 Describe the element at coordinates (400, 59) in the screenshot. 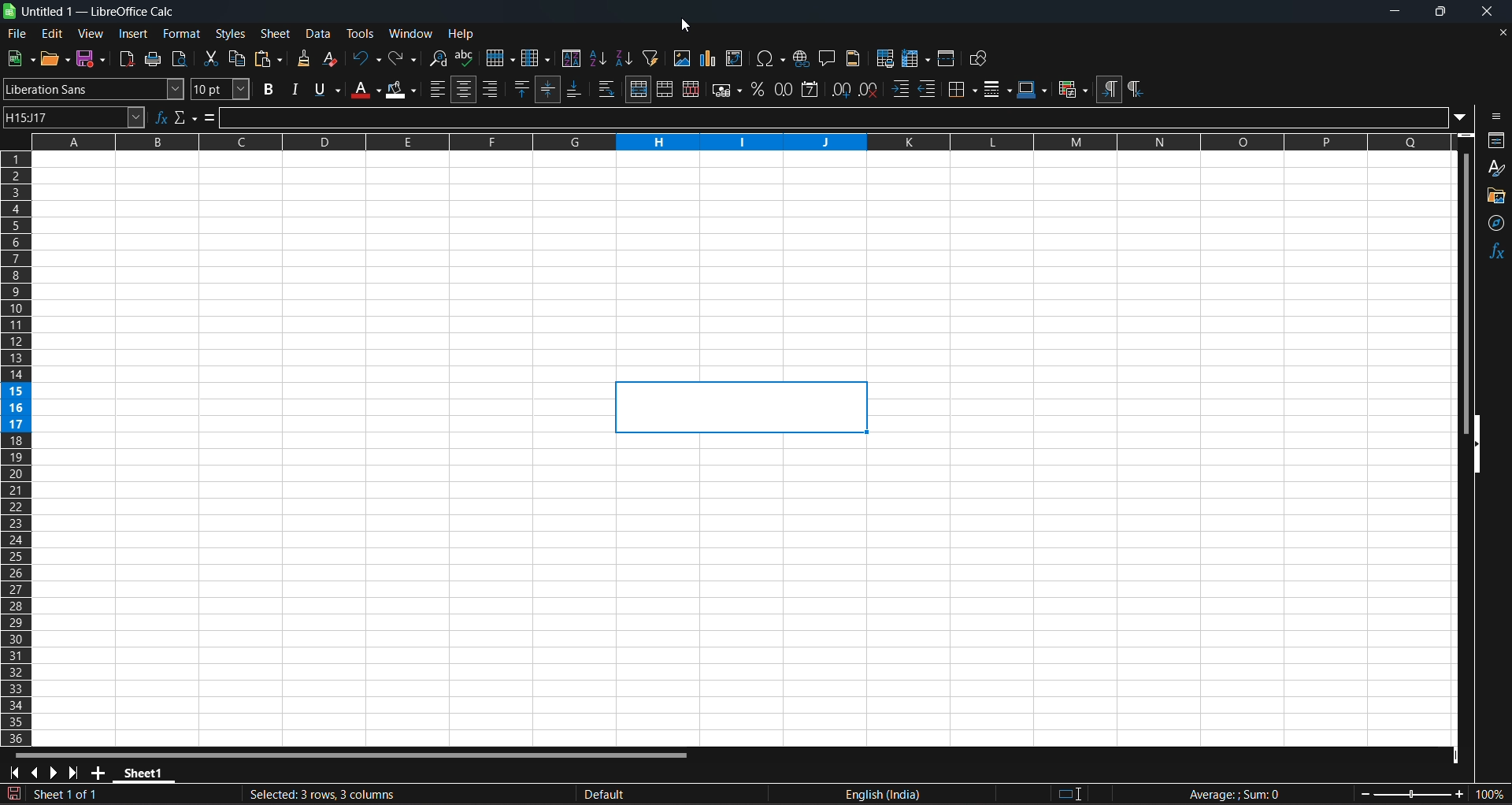

I see `redo` at that location.